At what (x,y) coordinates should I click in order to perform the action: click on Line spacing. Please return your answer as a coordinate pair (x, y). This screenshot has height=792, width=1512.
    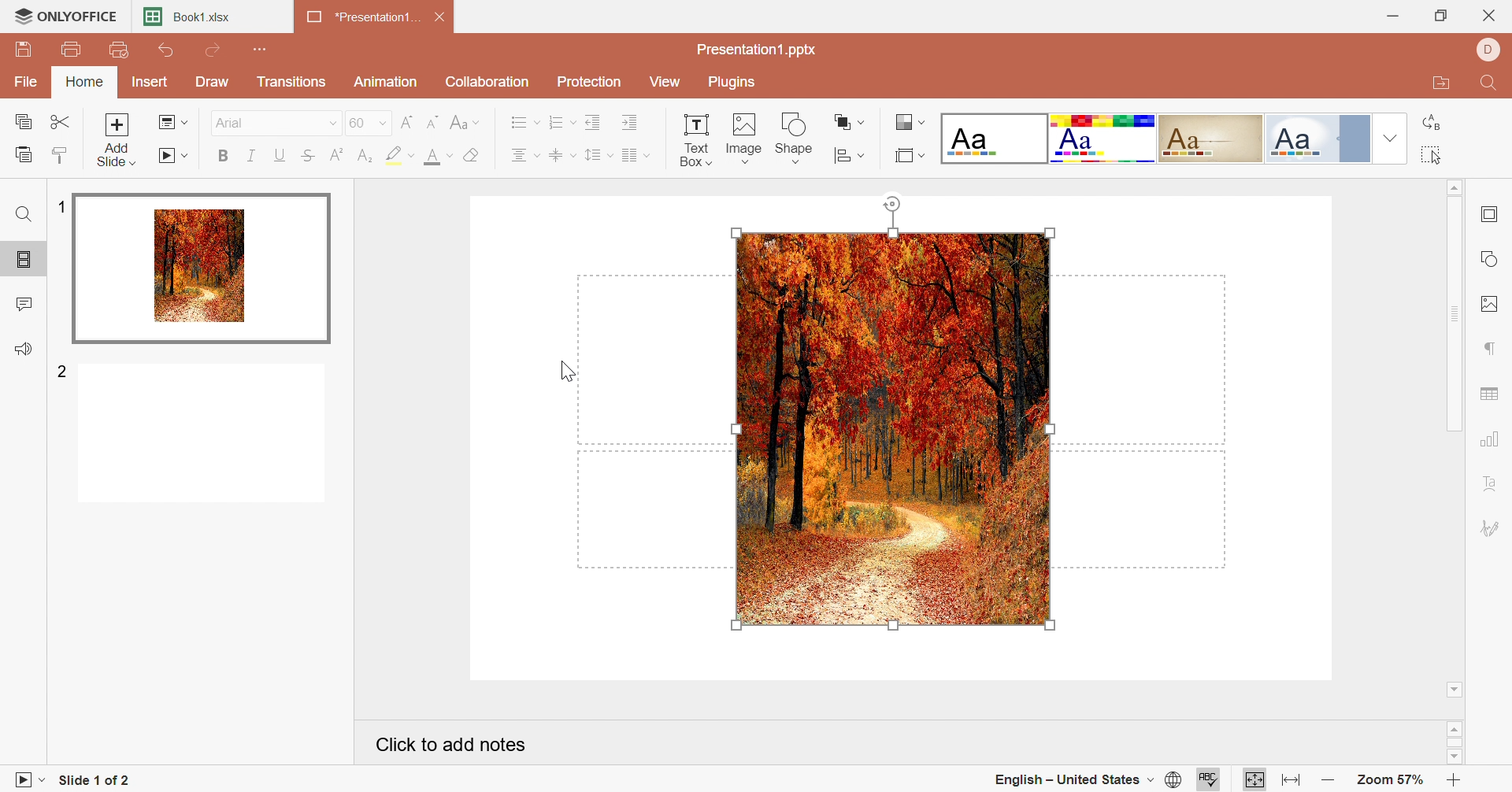
    Looking at the image, I should click on (599, 155).